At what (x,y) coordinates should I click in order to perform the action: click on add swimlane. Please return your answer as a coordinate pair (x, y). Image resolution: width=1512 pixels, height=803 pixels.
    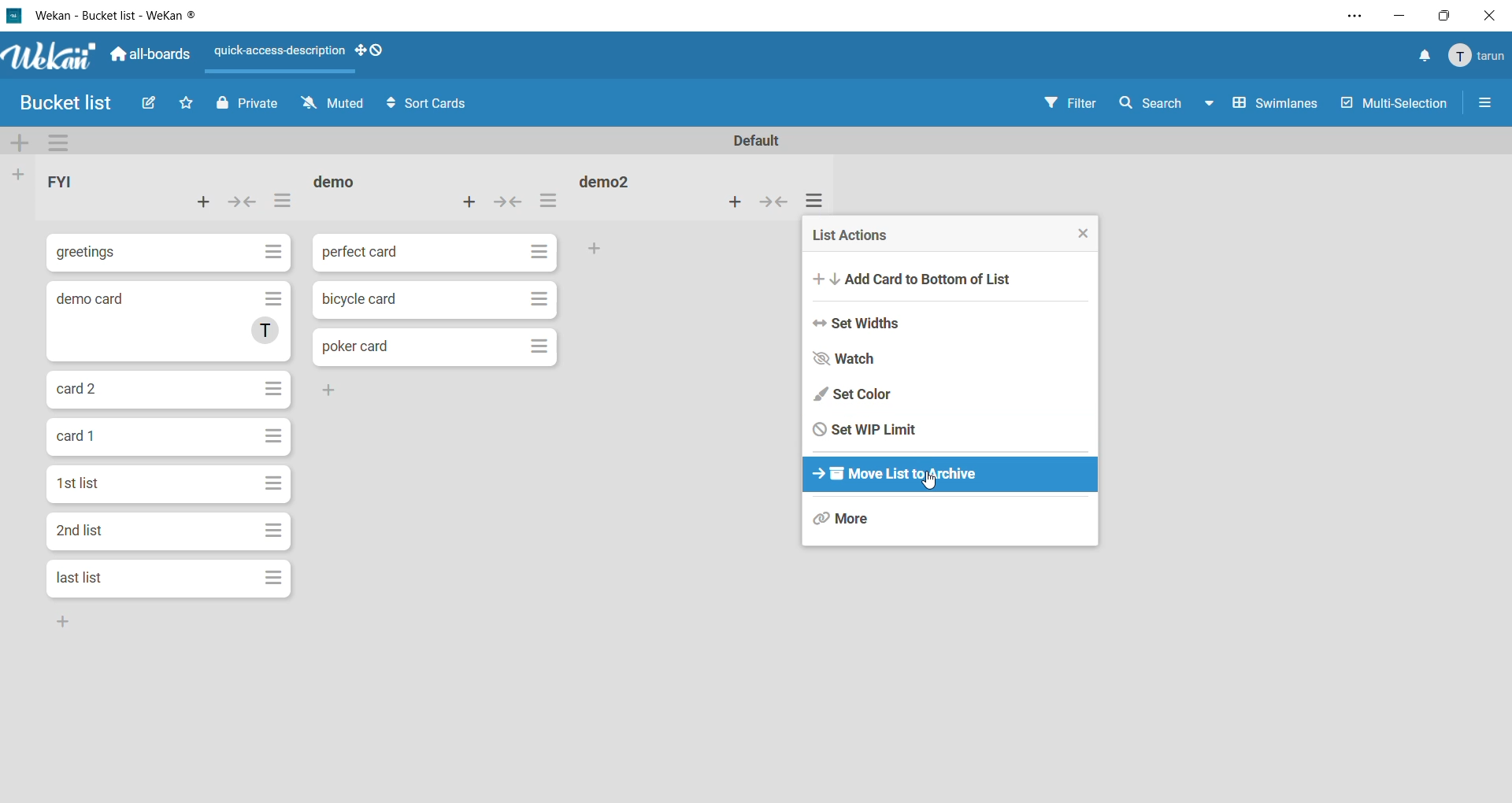
    Looking at the image, I should click on (22, 142).